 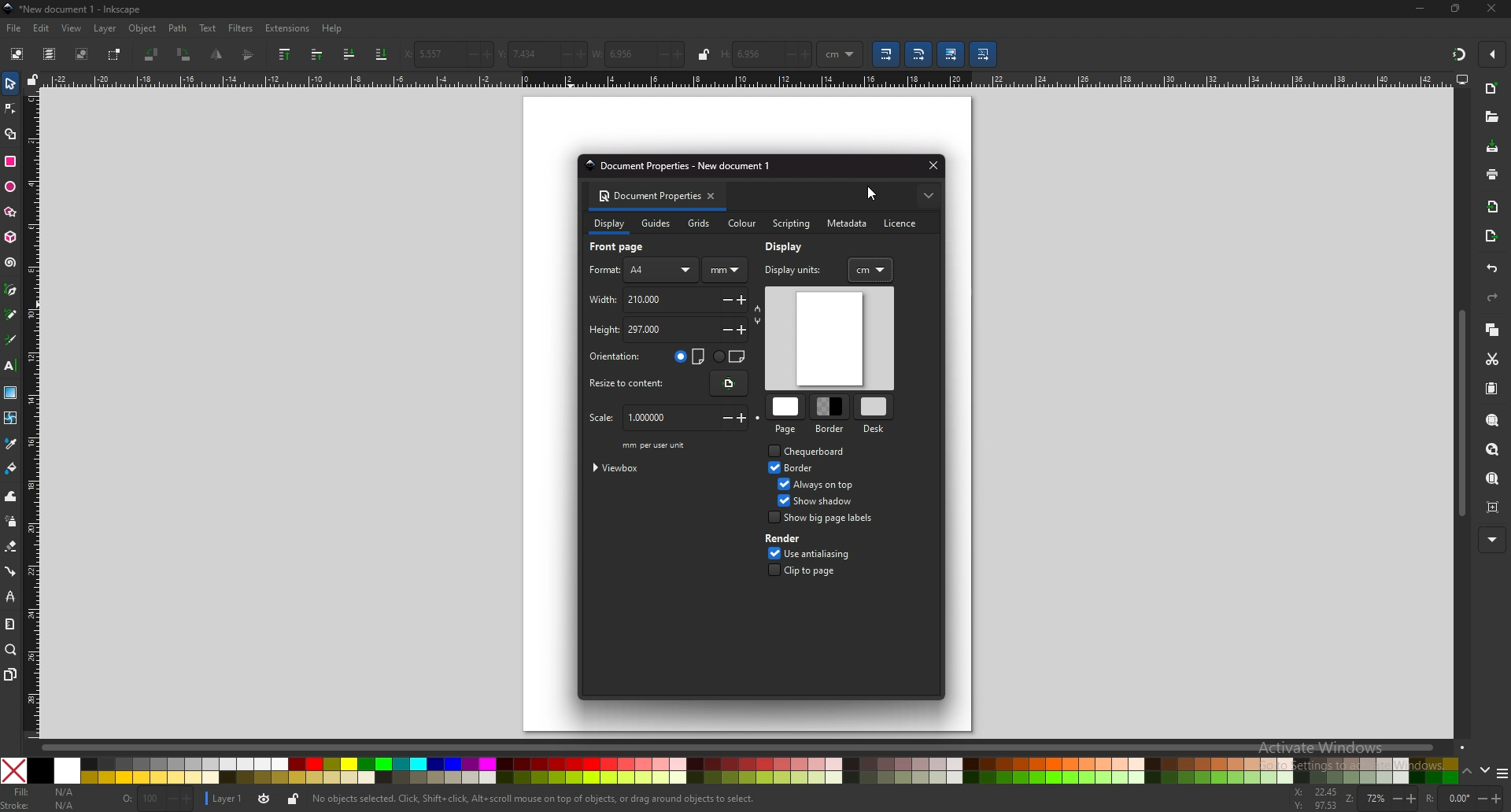 I want to click on rotate 90 cw, so click(x=185, y=56).